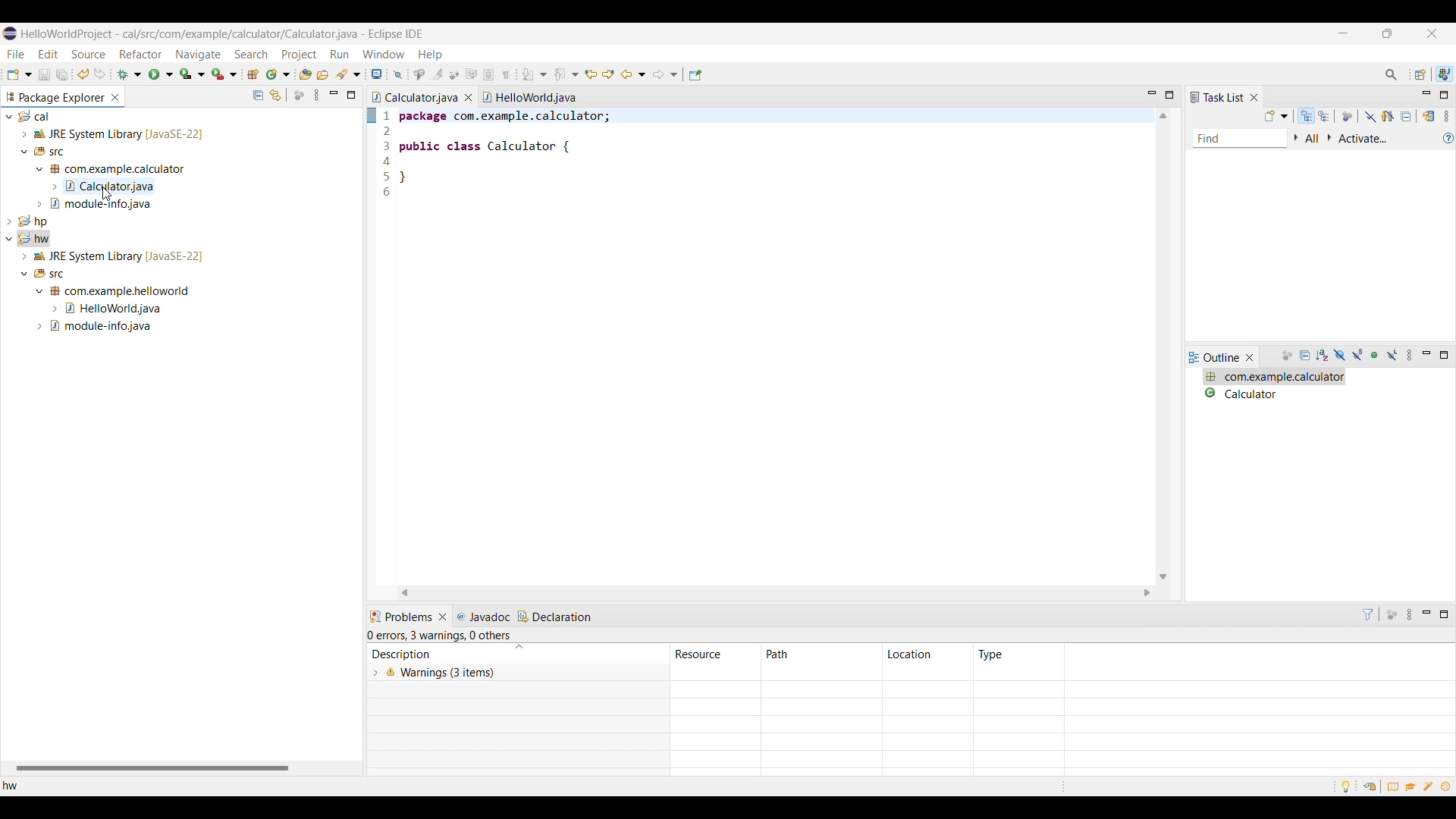  Describe the element at coordinates (1427, 96) in the screenshot. I see `Minimize` at that location.